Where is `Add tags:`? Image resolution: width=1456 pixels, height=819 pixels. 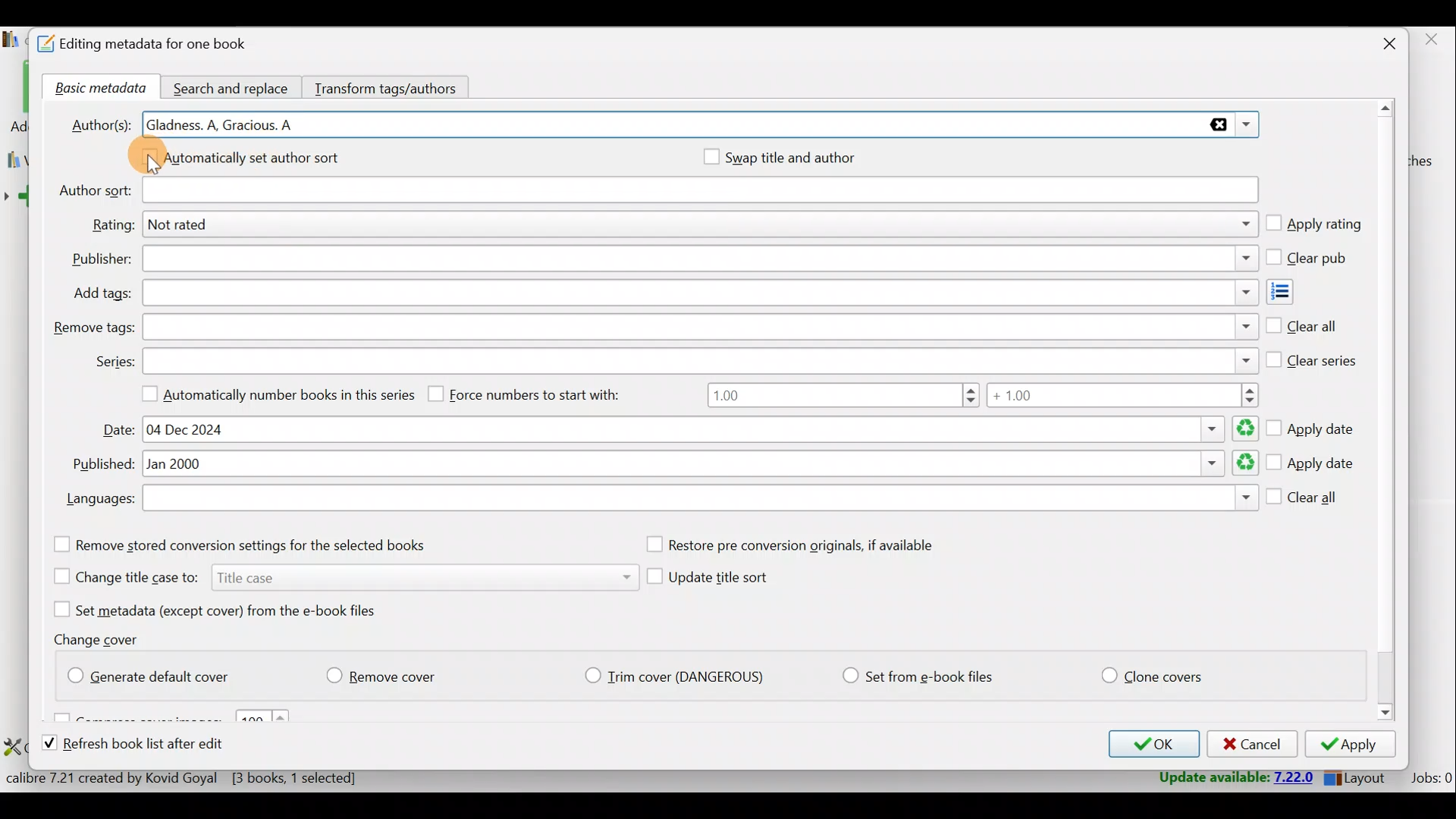 Add tags: is located at coordinates (102, 293).